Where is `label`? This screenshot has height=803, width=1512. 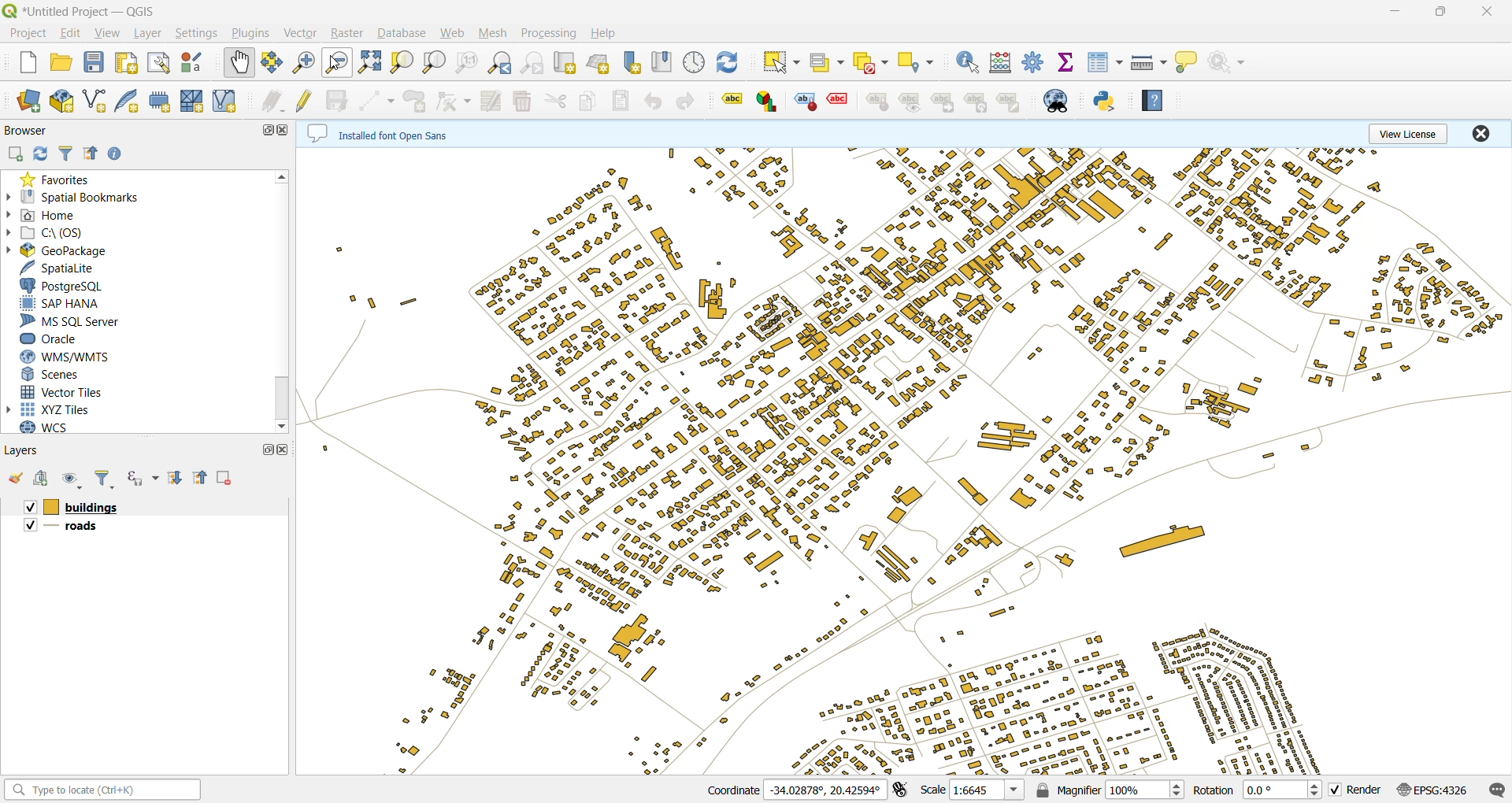 label is located at coordinates (877, 103).